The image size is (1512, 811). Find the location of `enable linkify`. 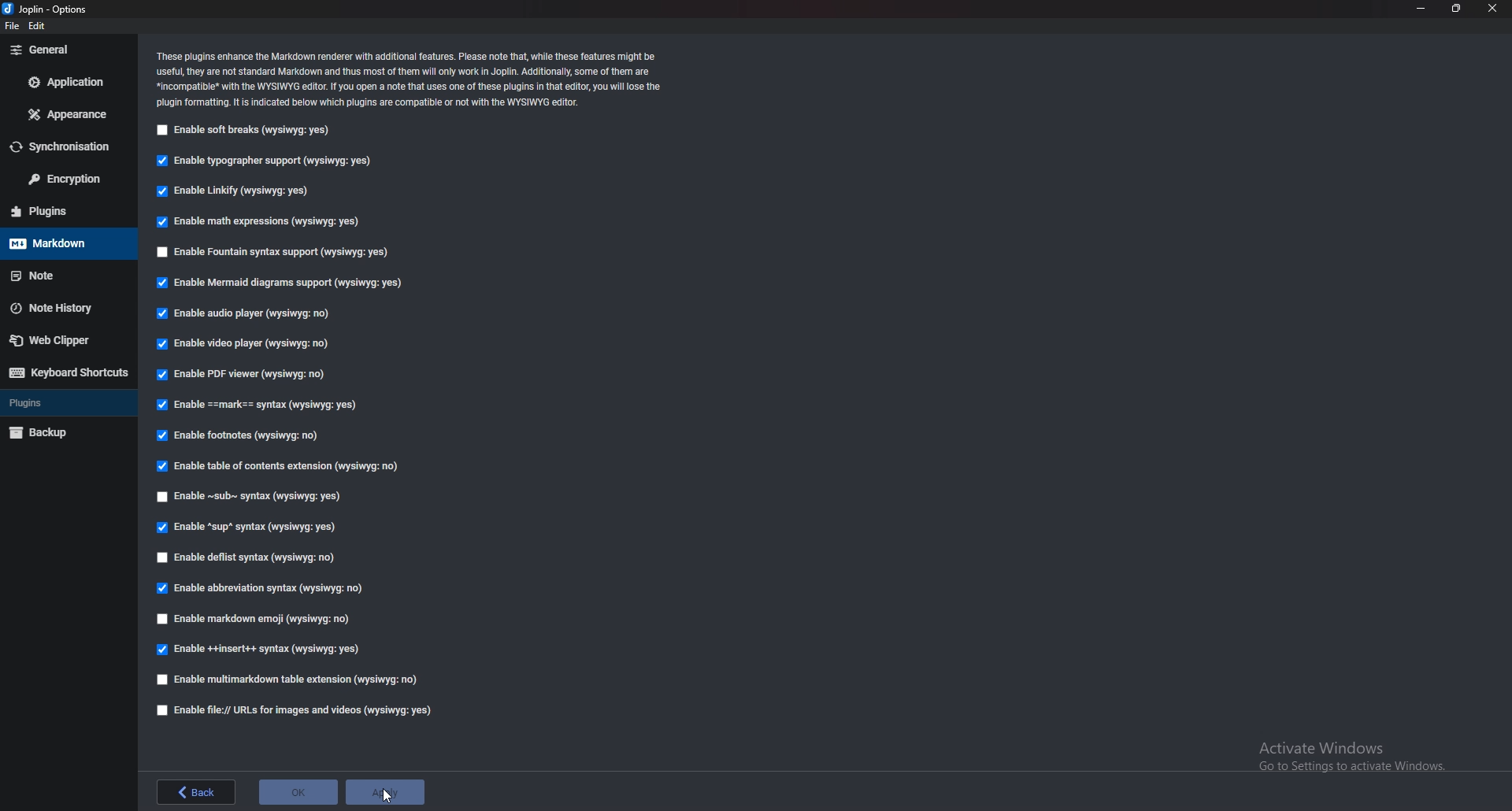

enable linkify is located at coordinates (232, 191).